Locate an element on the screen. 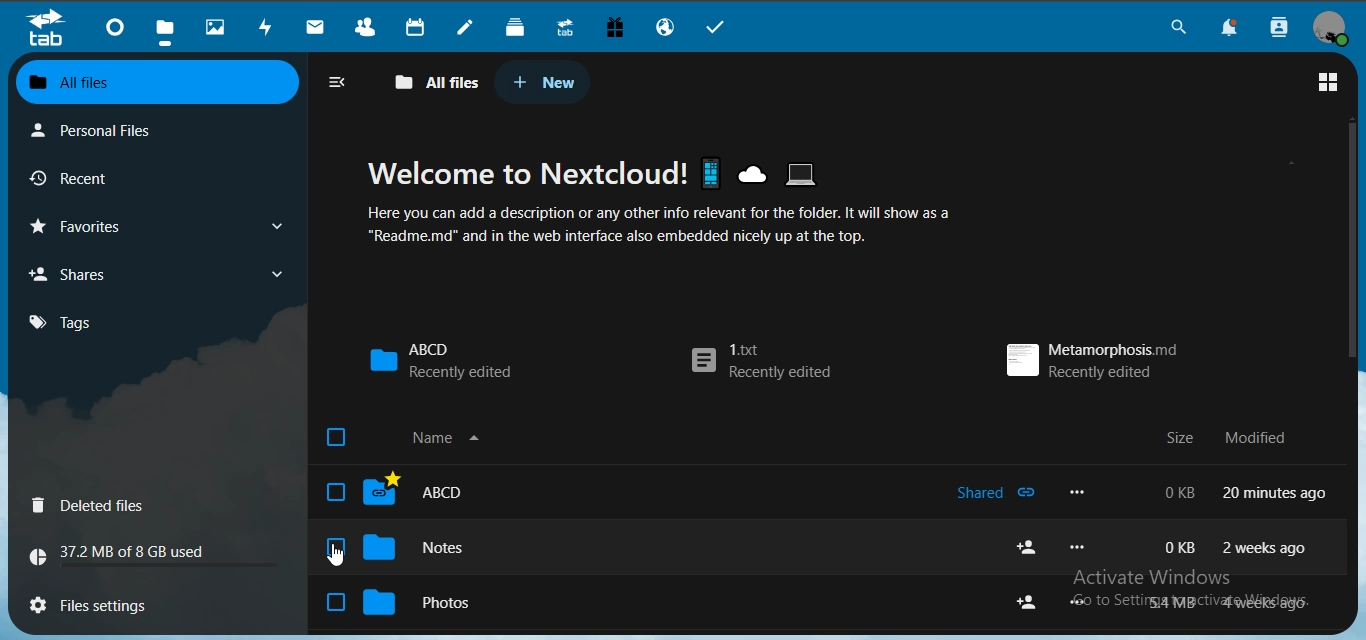 The width and height of the screenshot is (1366, 640). personal files is located at coordinates (130, 128).